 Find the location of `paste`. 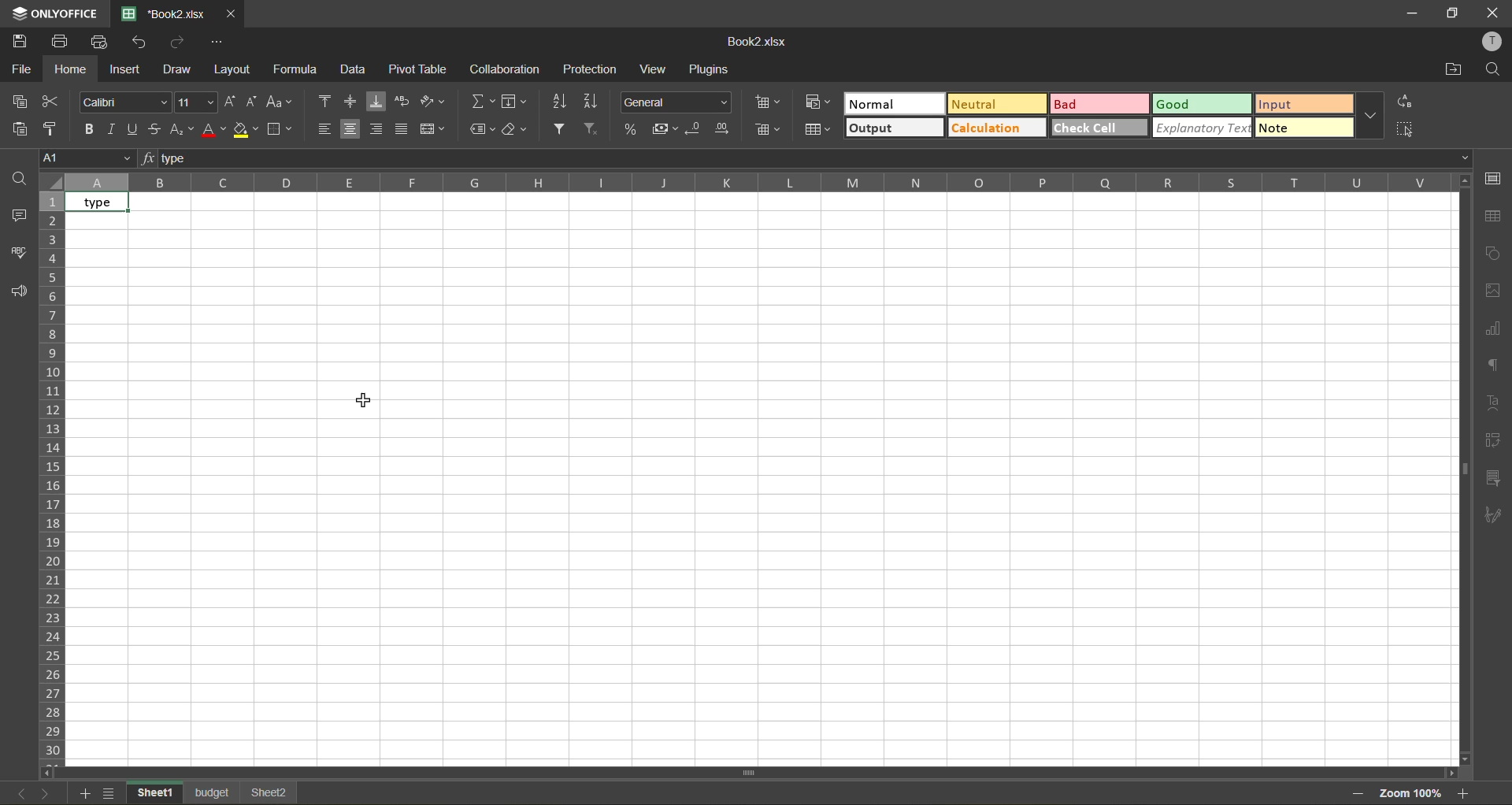

paste is located at coordinates (22, 127).